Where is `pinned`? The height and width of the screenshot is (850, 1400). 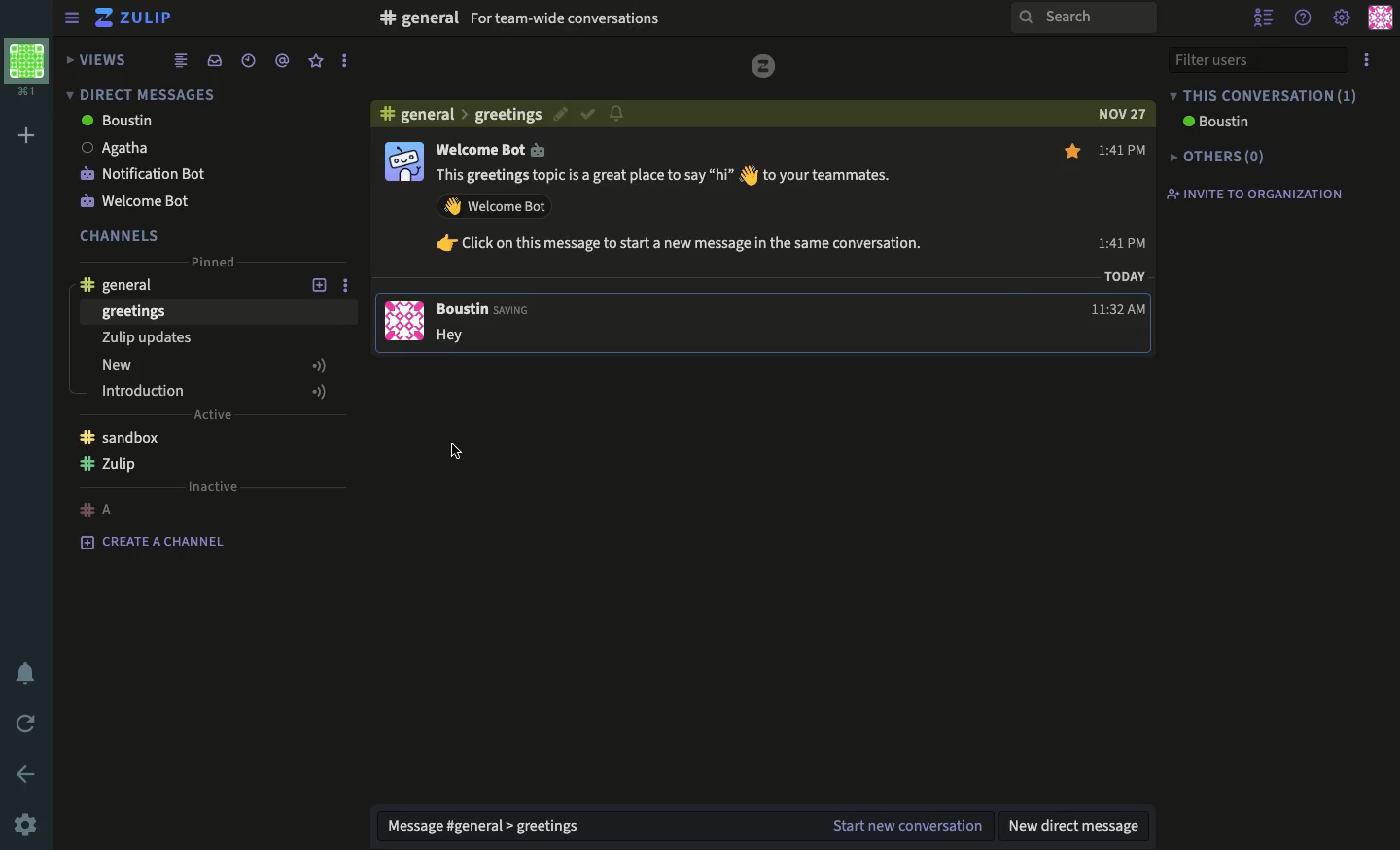
pinned is located at coordinates (215, 263).